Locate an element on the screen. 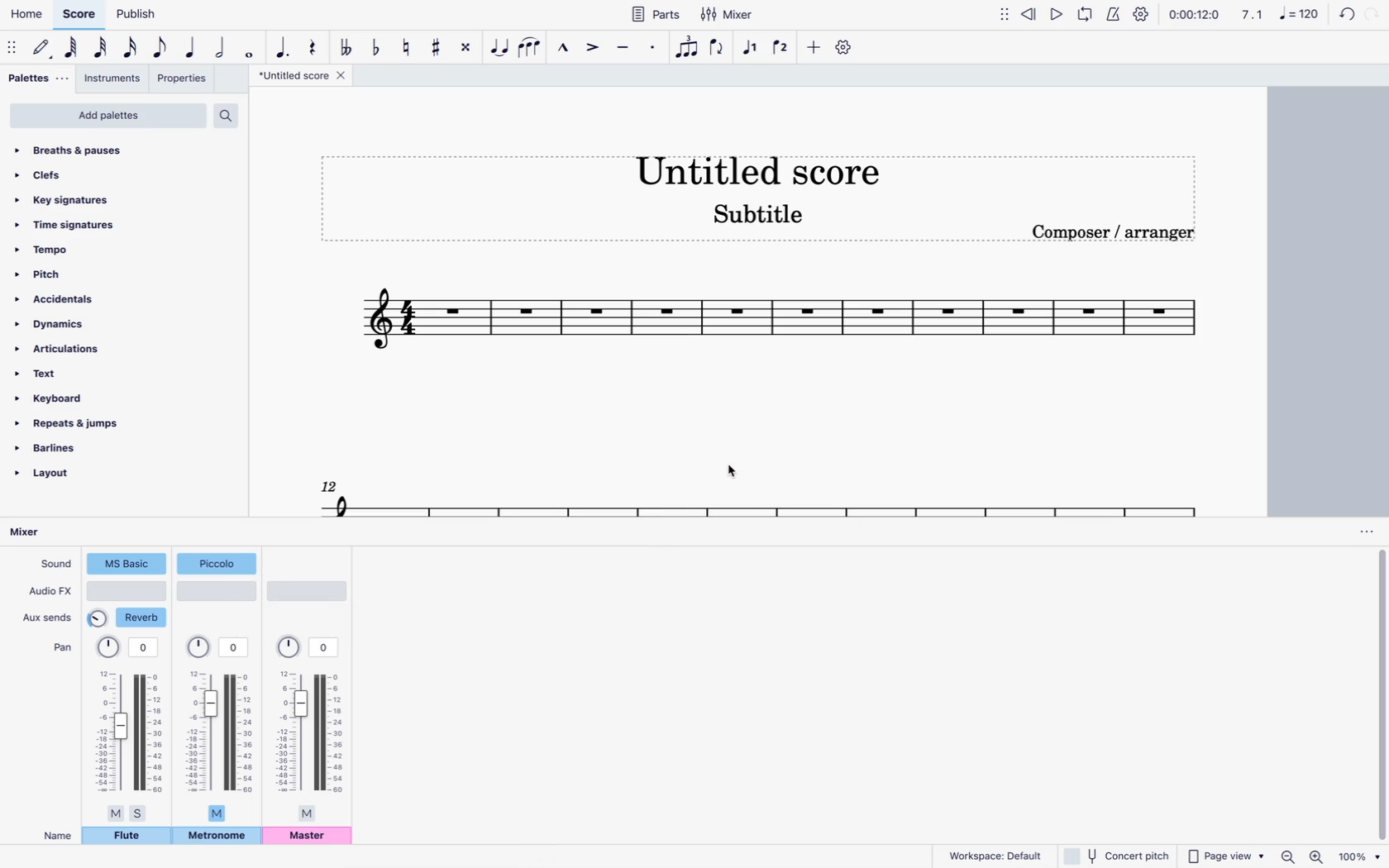  voice 2 is located at coordinates (782, 50).